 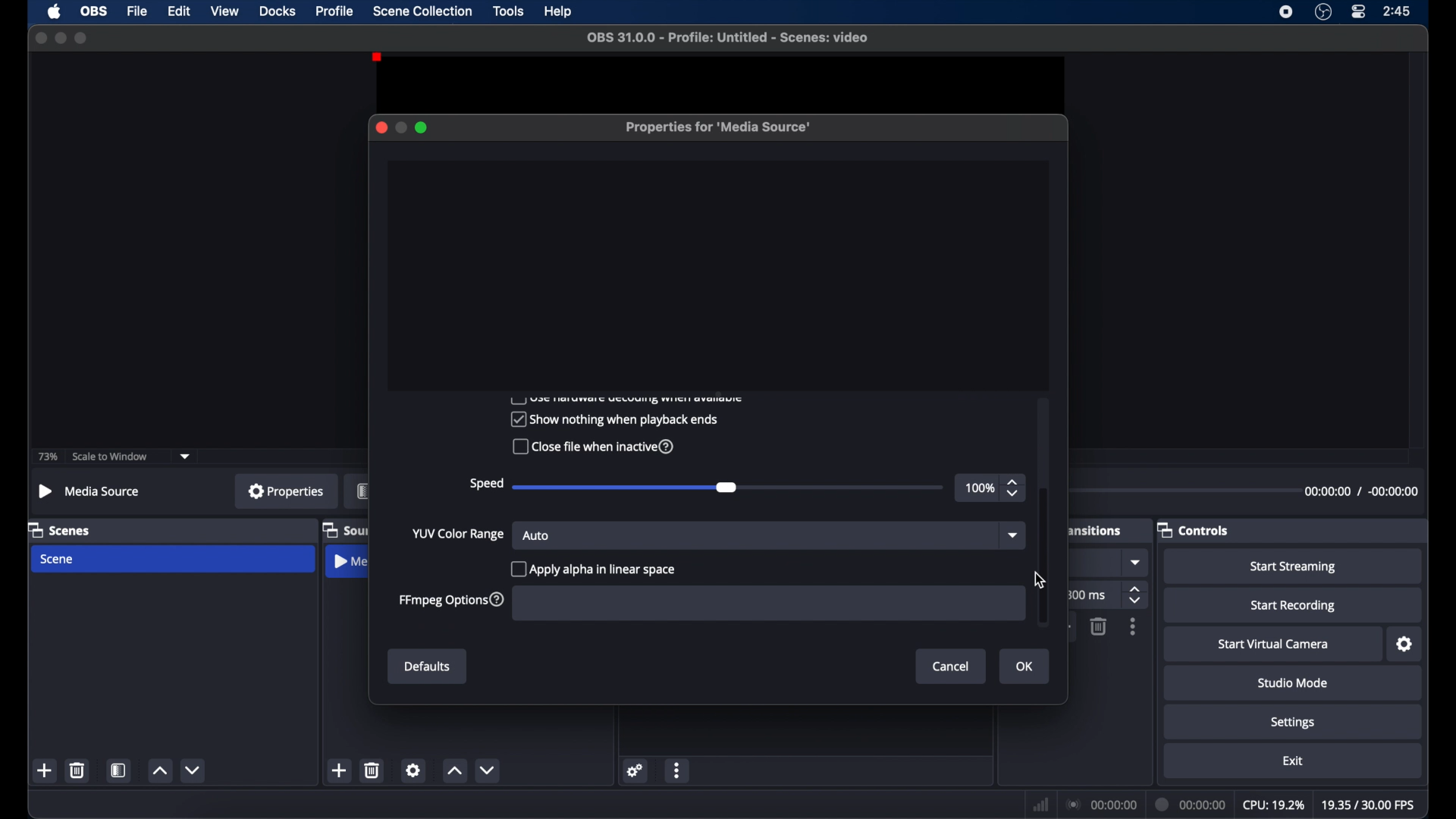 What do you see at coordinates (491, 770) in the screenshot?
I see `decrement` at bounding box center [491, 770].